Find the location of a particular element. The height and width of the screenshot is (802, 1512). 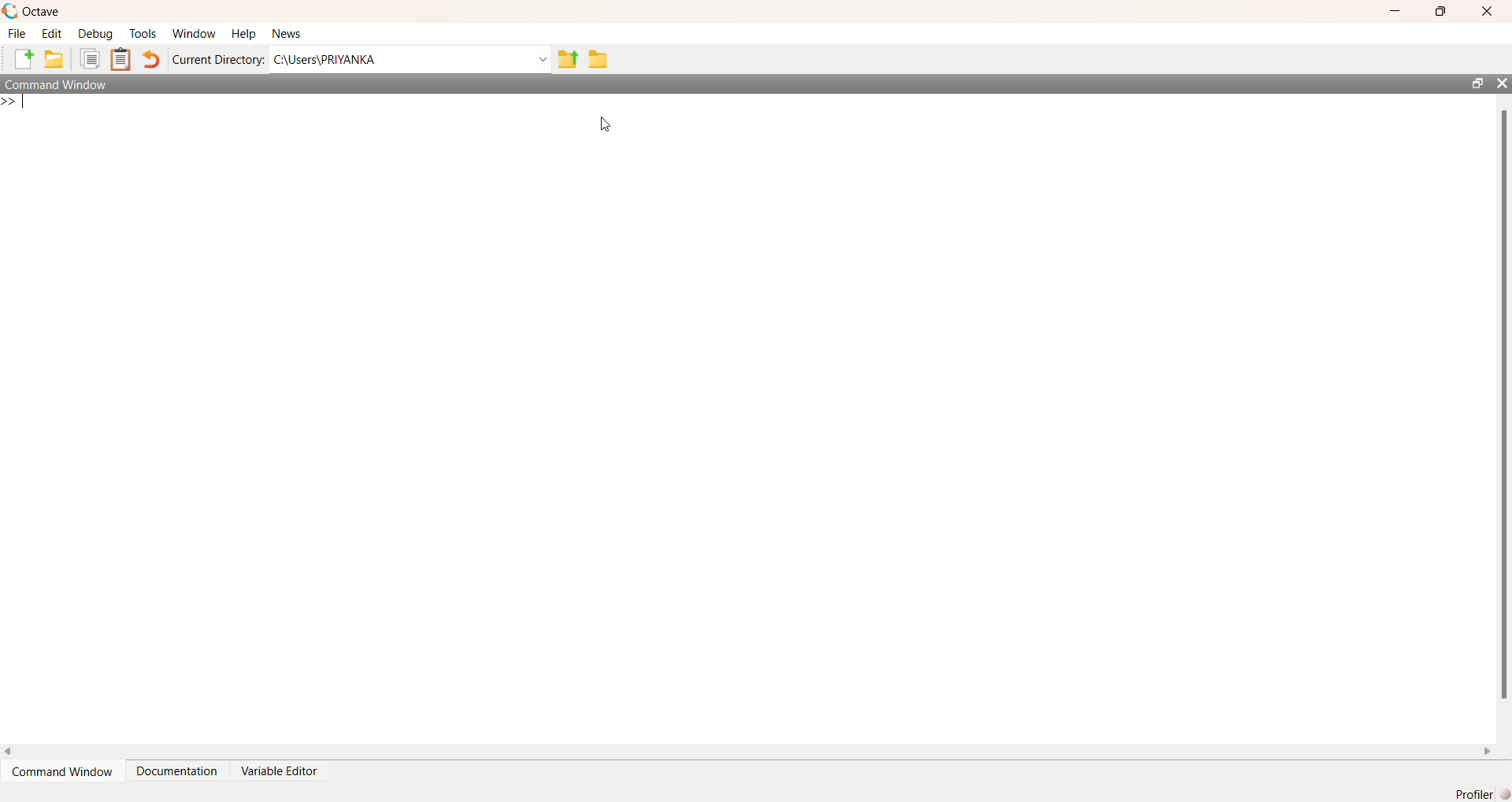

>> is located at coordinates (14, 102).